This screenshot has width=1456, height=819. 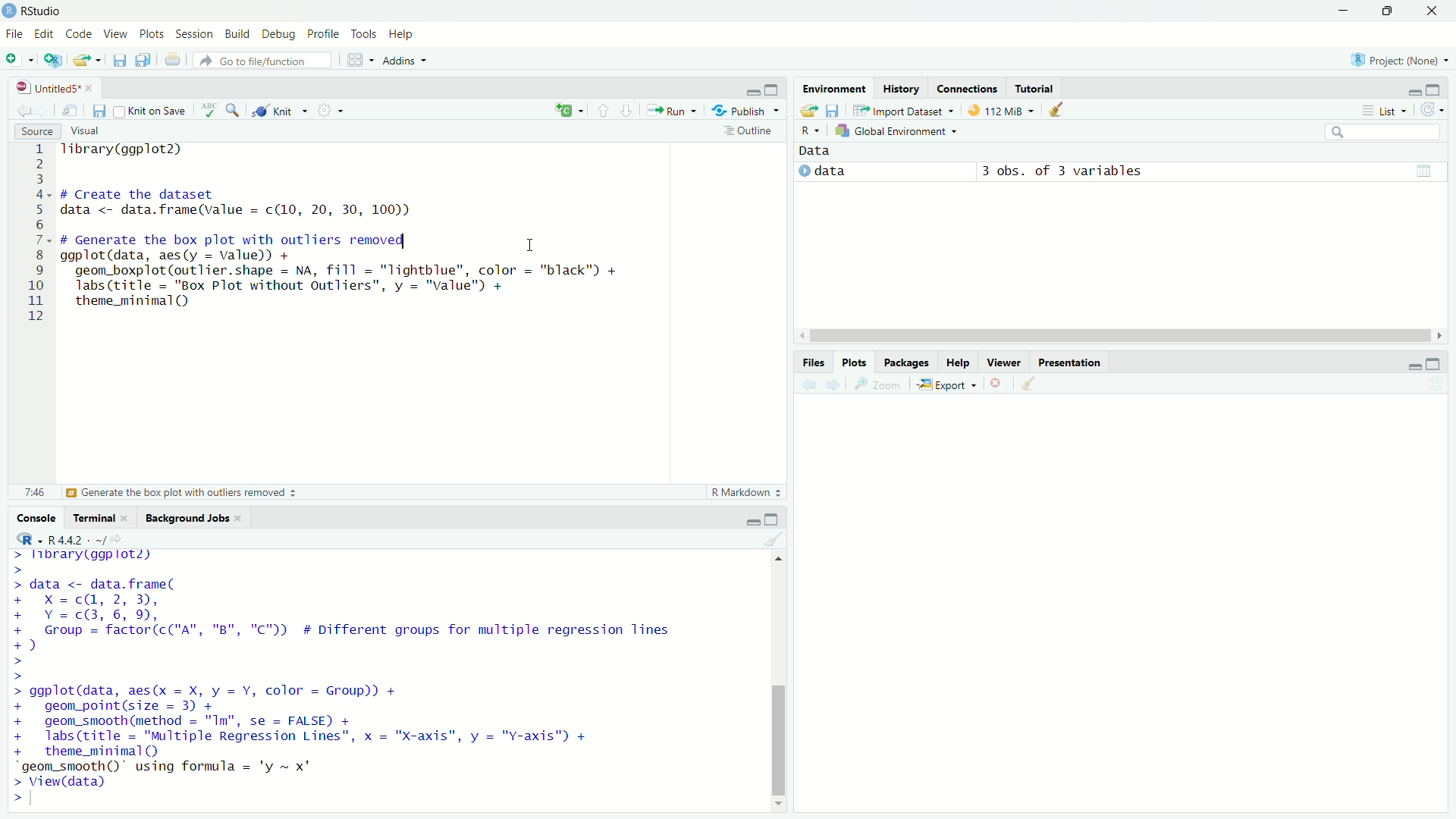 I want to click on close, so click(x=1437, y=13).